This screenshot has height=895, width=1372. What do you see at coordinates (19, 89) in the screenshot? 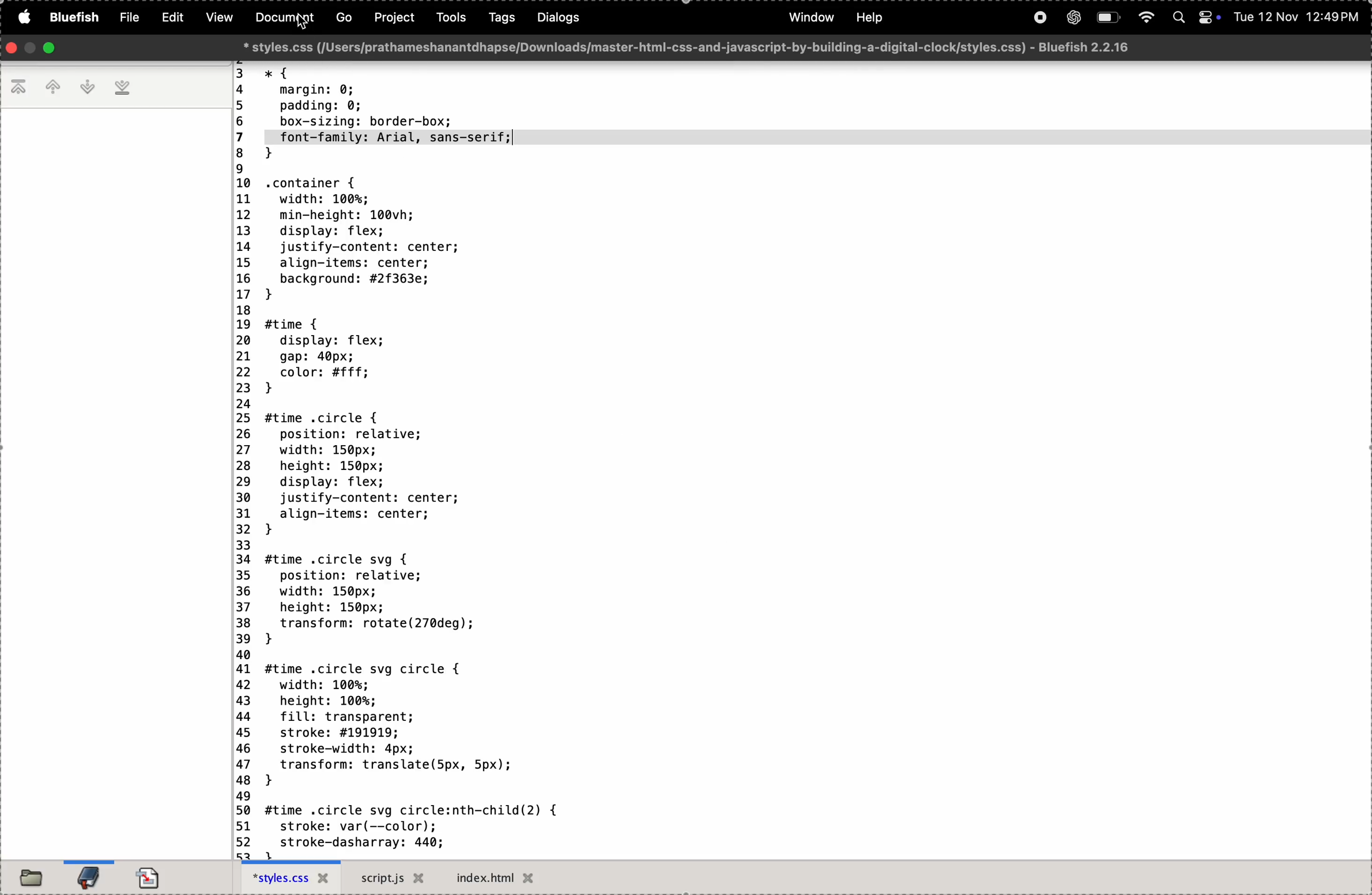
I see `first bokmaark` at bounding box center [19, 89].